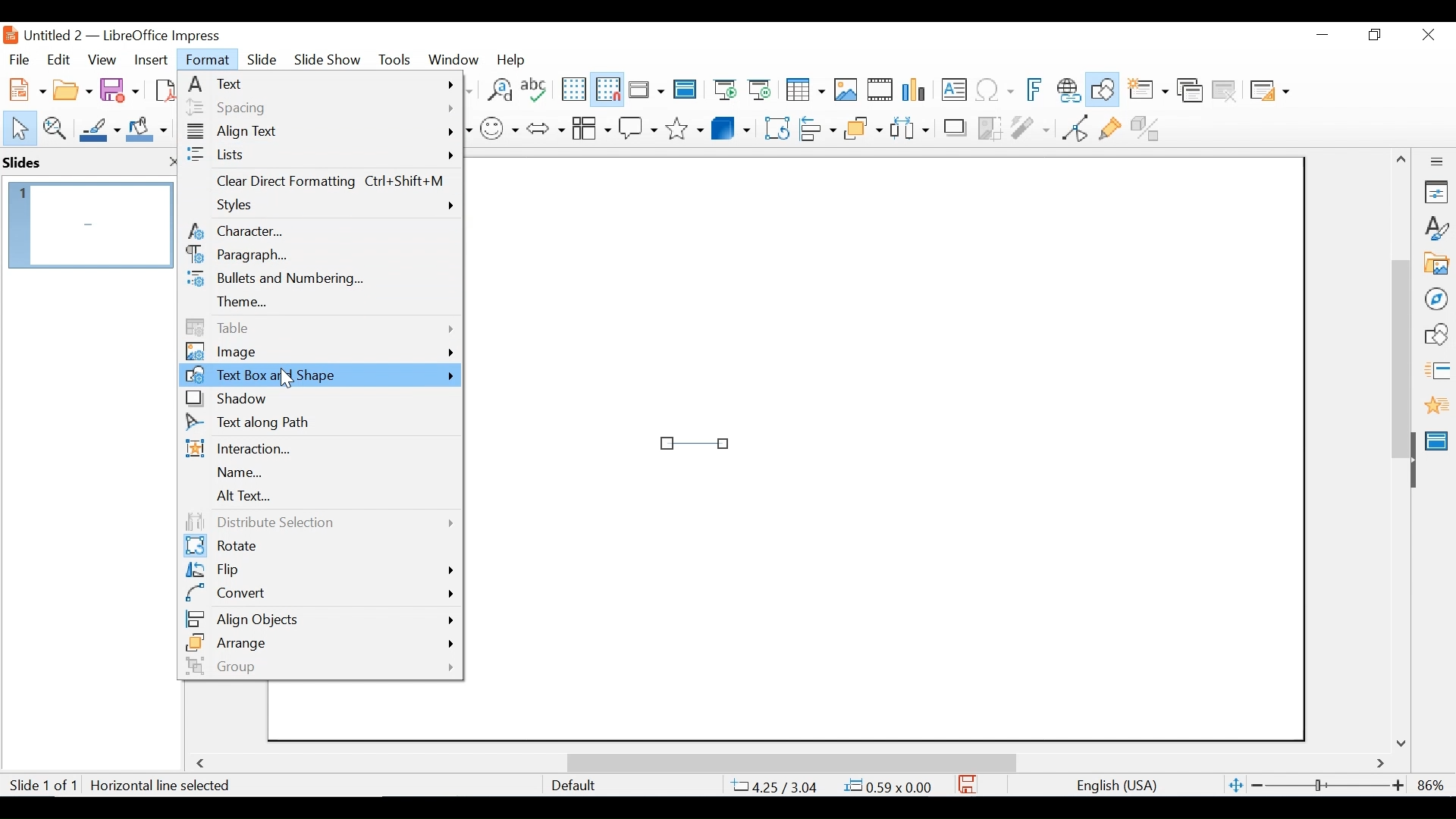 This screenshot has width=1456, height=819. I want to click on Align Text, so click(320, 133).